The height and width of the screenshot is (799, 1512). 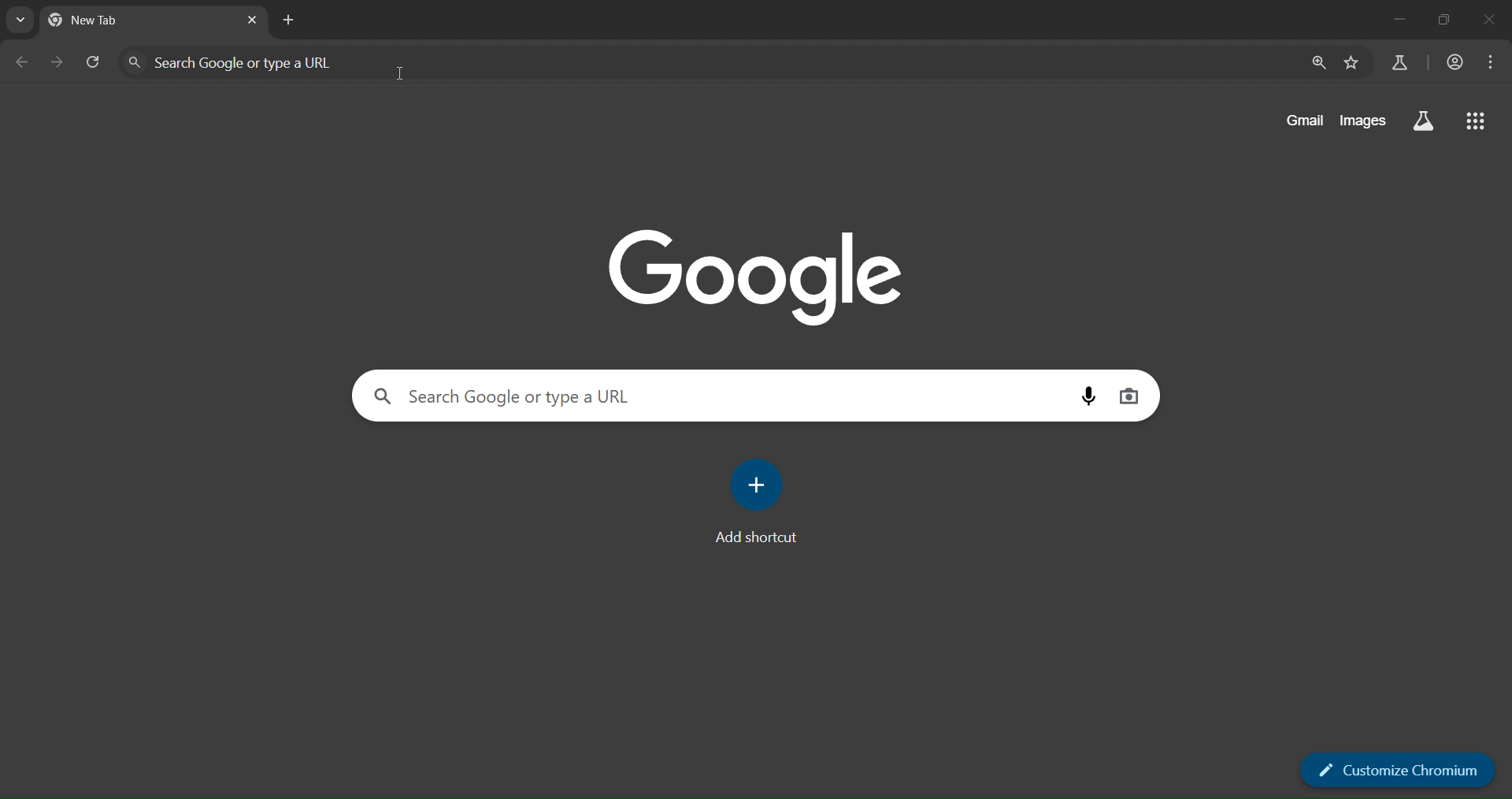 I want to click on menu, so click(x=1490, y=62).